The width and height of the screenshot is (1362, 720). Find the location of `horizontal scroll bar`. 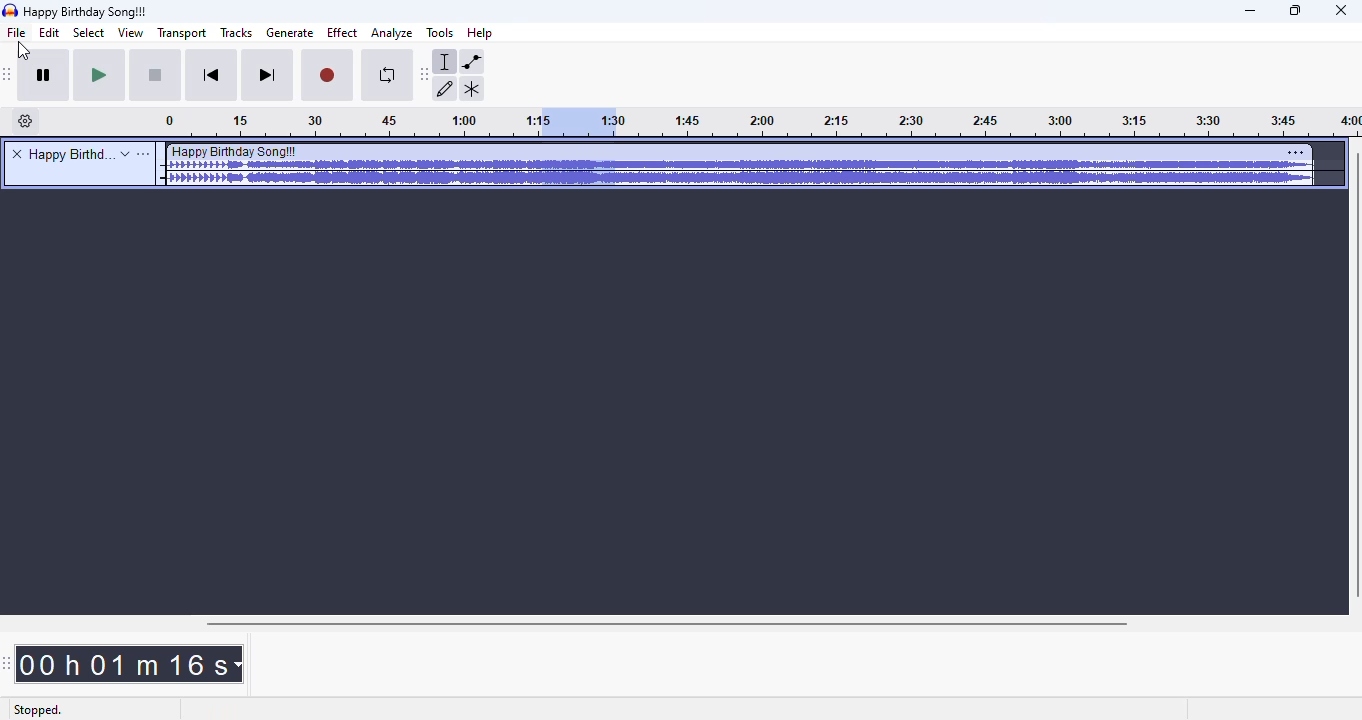

horizontal scroll bar is located at coordinates (669, 624).